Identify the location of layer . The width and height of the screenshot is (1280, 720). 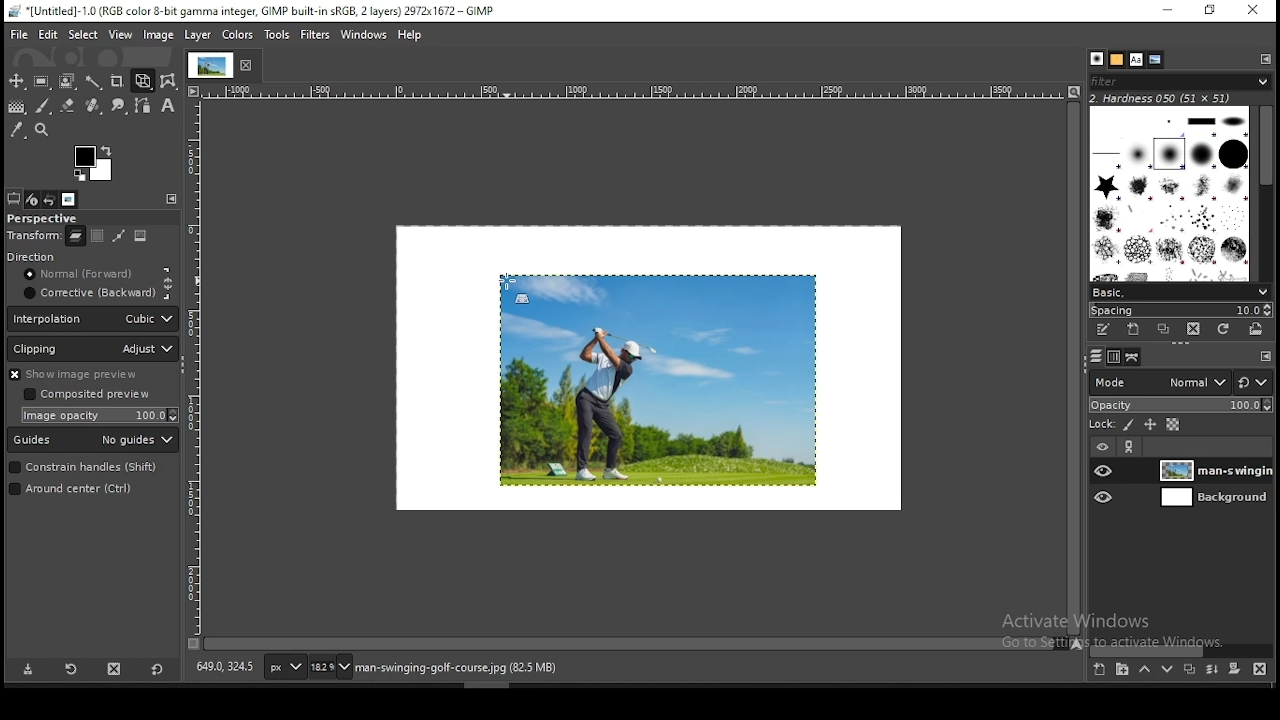
(1212, 498).